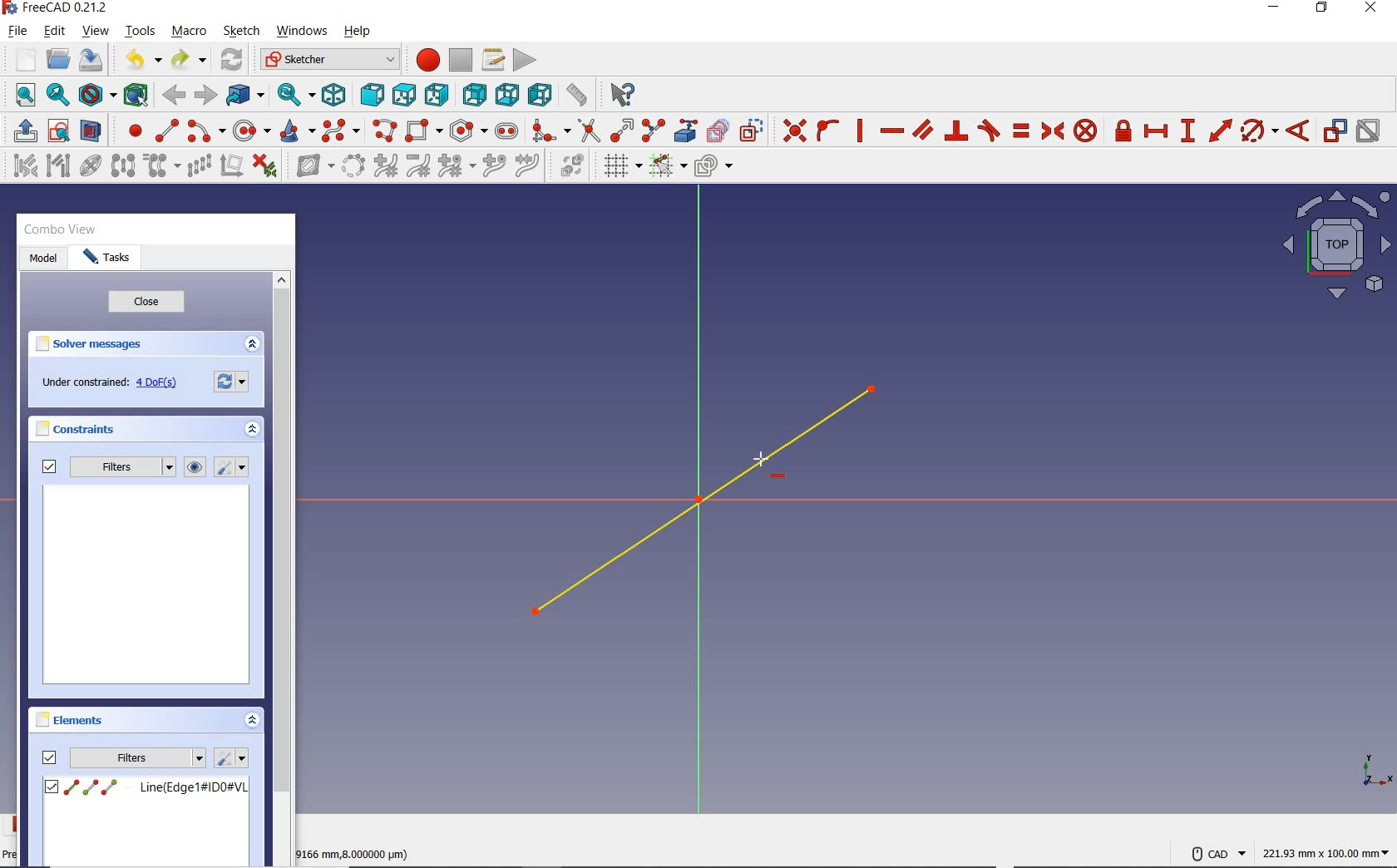 This screenshot has height=868, width=1397. I want to click on BOTTOM, so click(507, 94).